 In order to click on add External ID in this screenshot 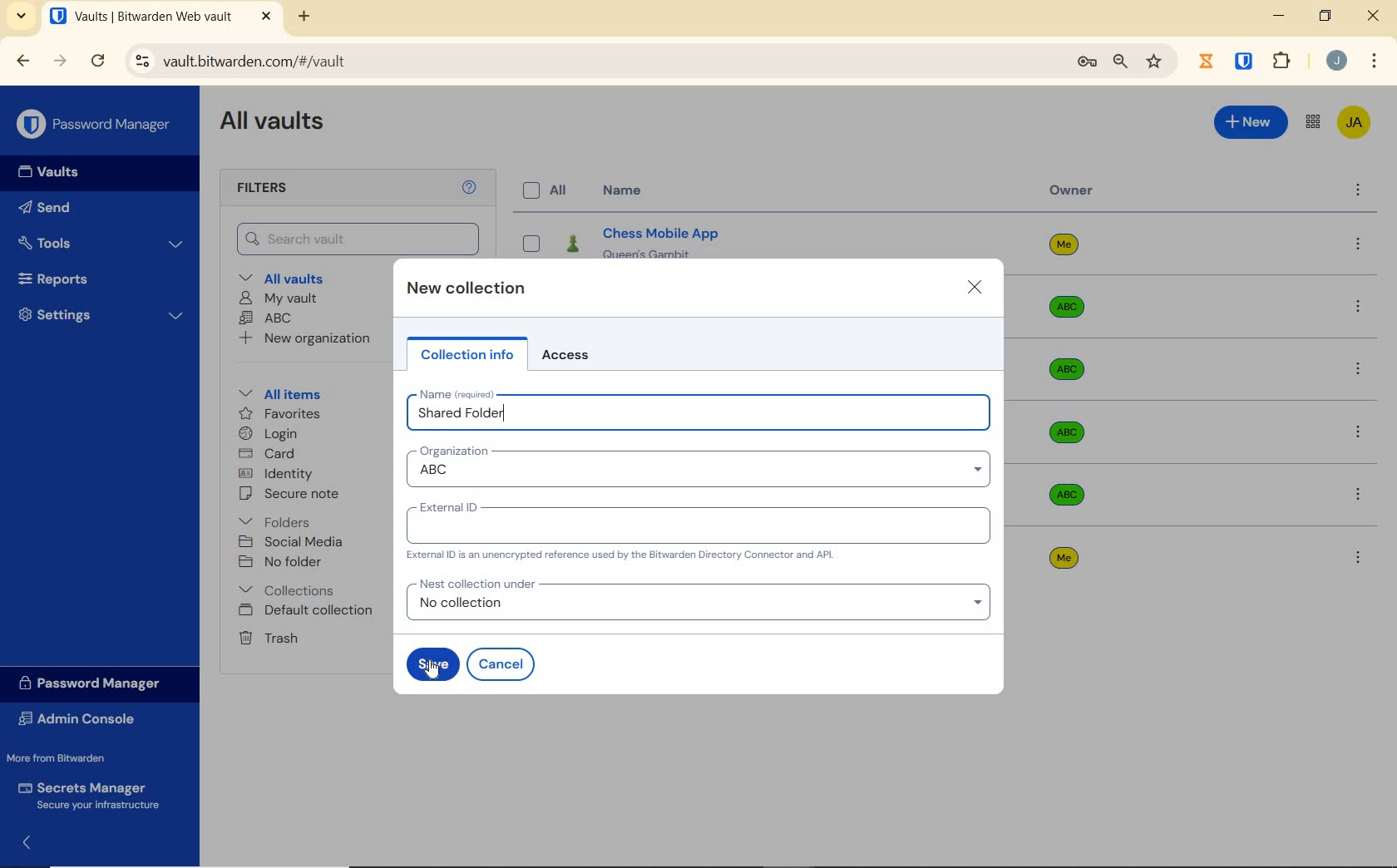, I will do `click(698, 530)`.